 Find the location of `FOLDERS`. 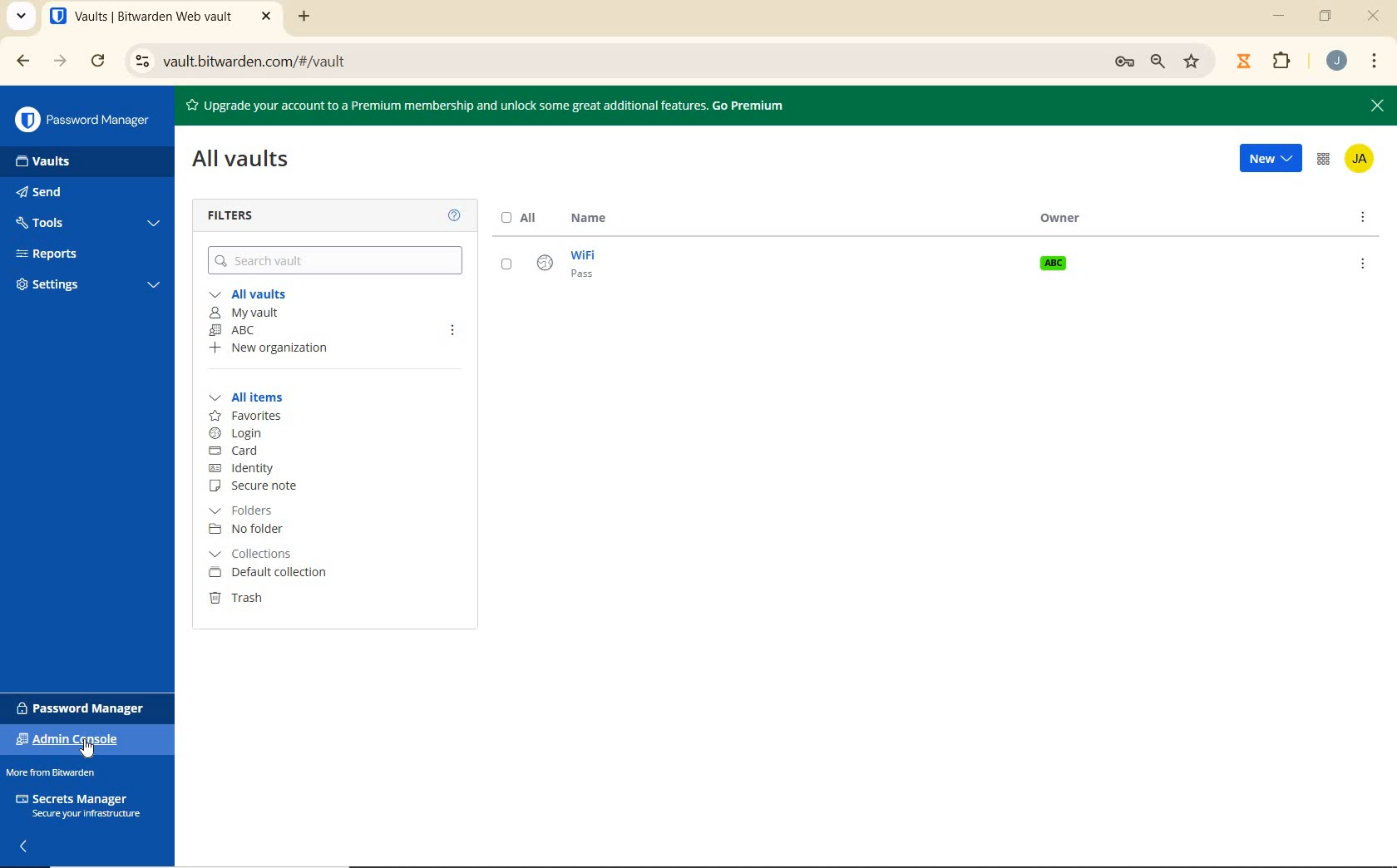

FOLDERS is located at coordinates (254, 510).